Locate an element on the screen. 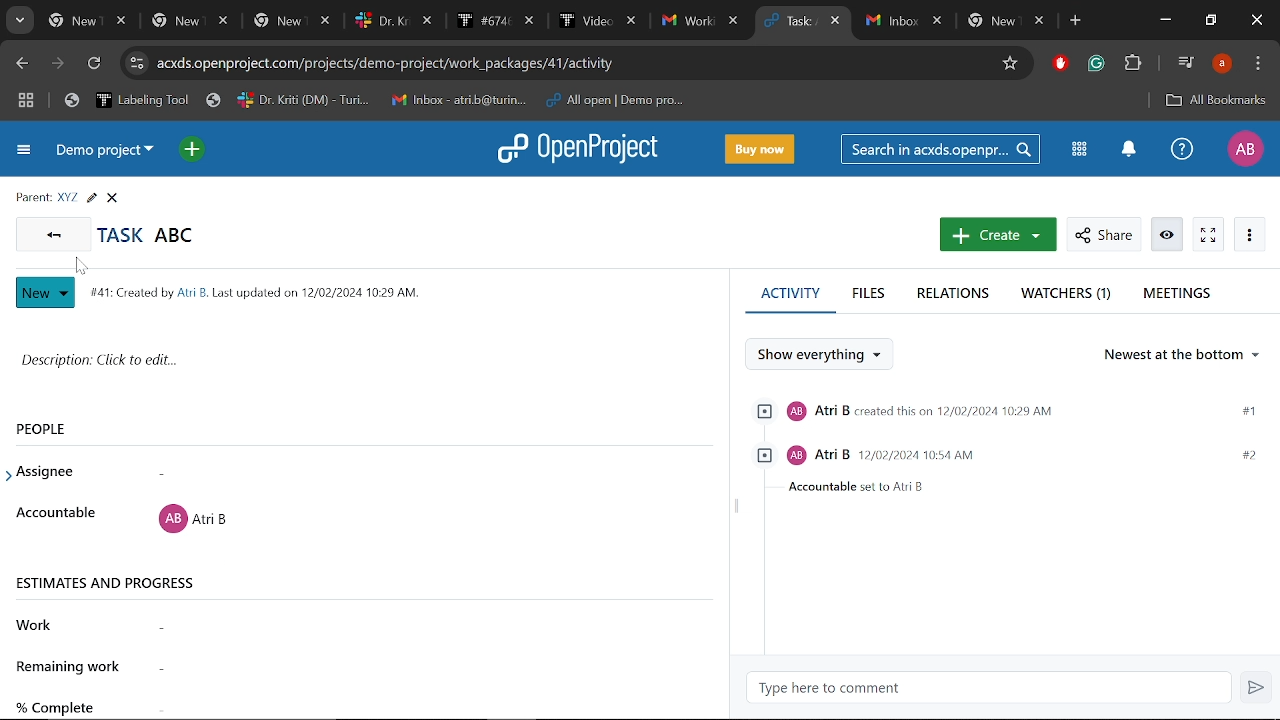 This screenshot has height=720, width=1280. Refresh is located at coordinates (93, 64).